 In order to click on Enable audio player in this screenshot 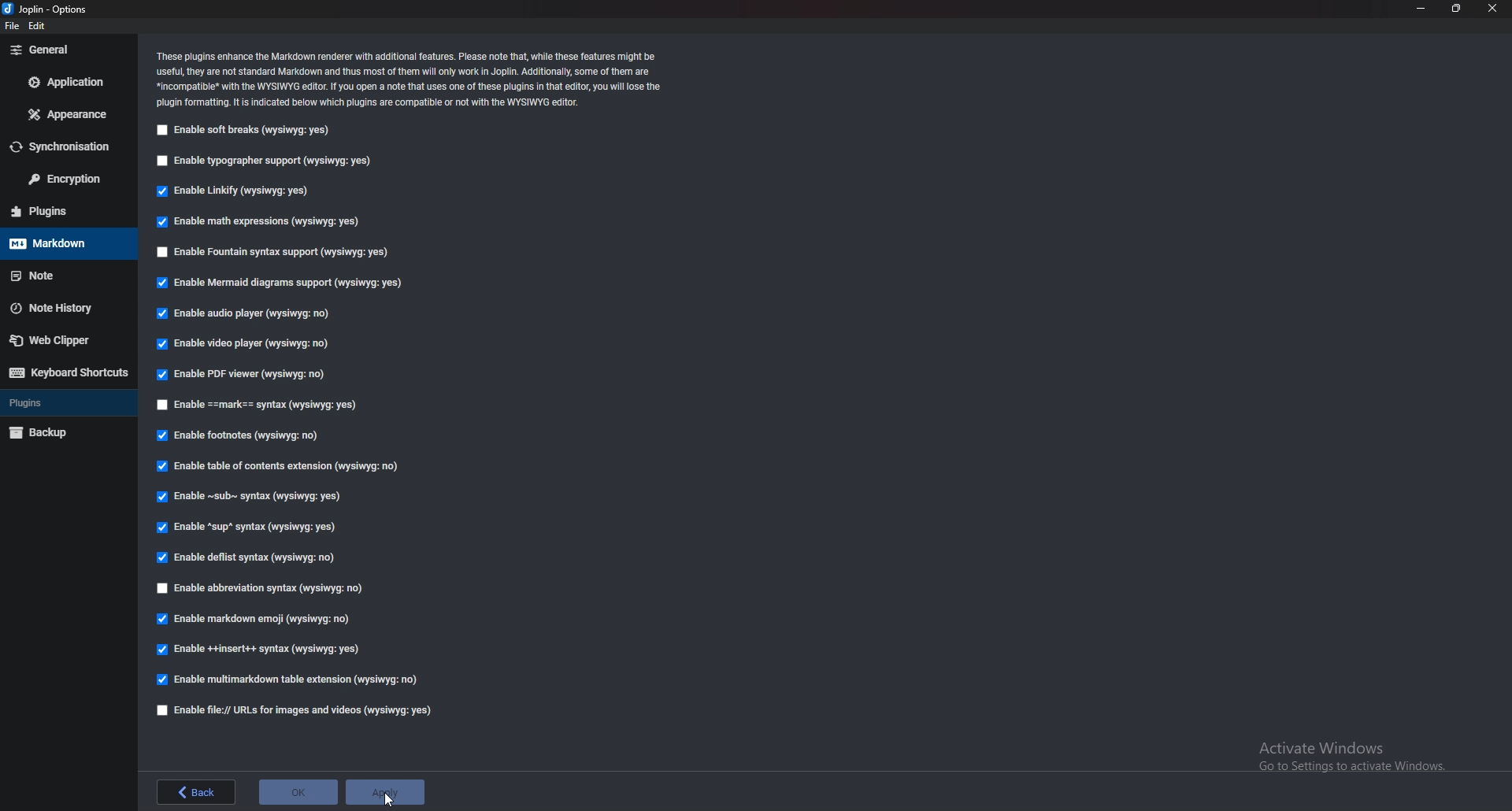, I will do `click(248, 315)`.